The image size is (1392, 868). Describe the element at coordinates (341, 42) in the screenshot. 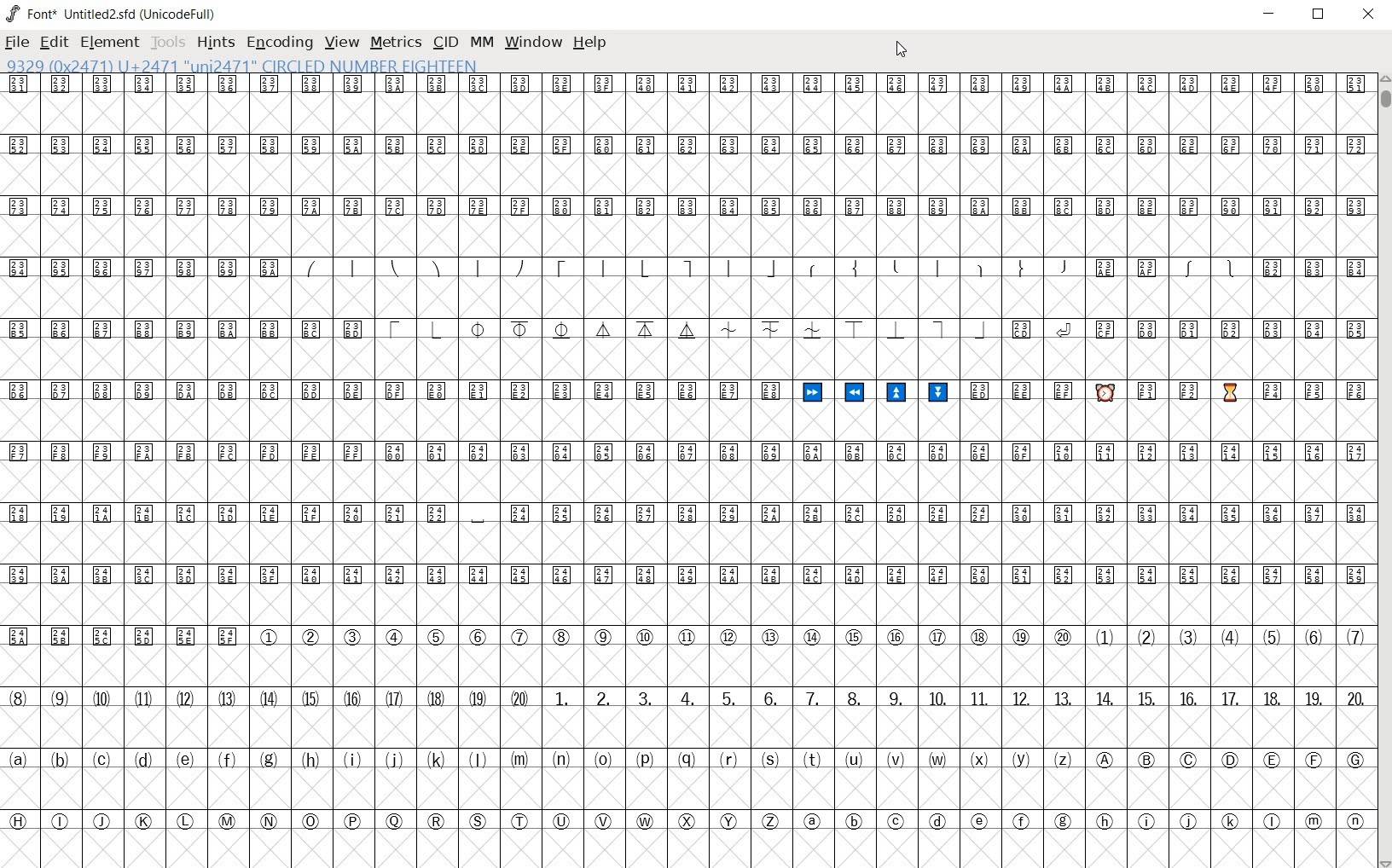

I see `view` at that location.